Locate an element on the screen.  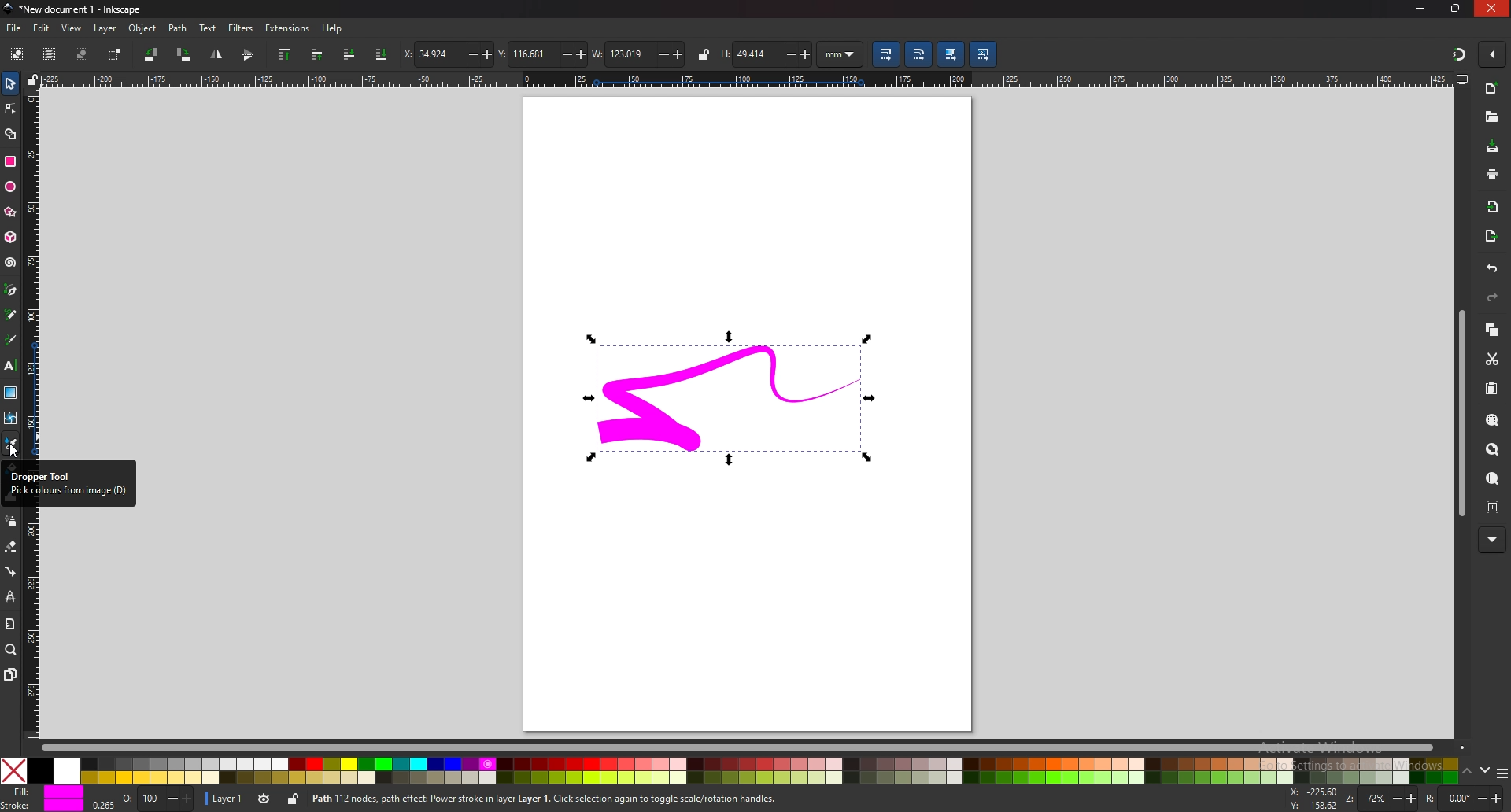
extensions is located at coordinates (289, 28).